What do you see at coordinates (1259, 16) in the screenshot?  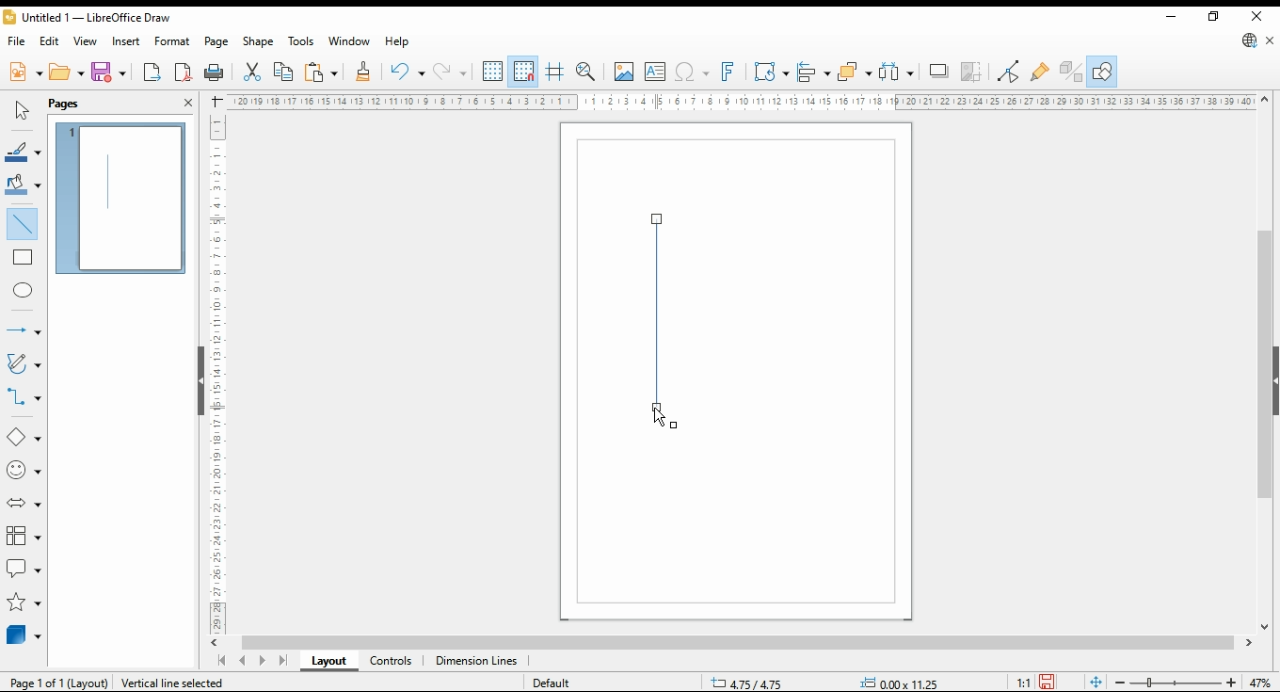 I see `close window` at bounding box center [1259, 16].